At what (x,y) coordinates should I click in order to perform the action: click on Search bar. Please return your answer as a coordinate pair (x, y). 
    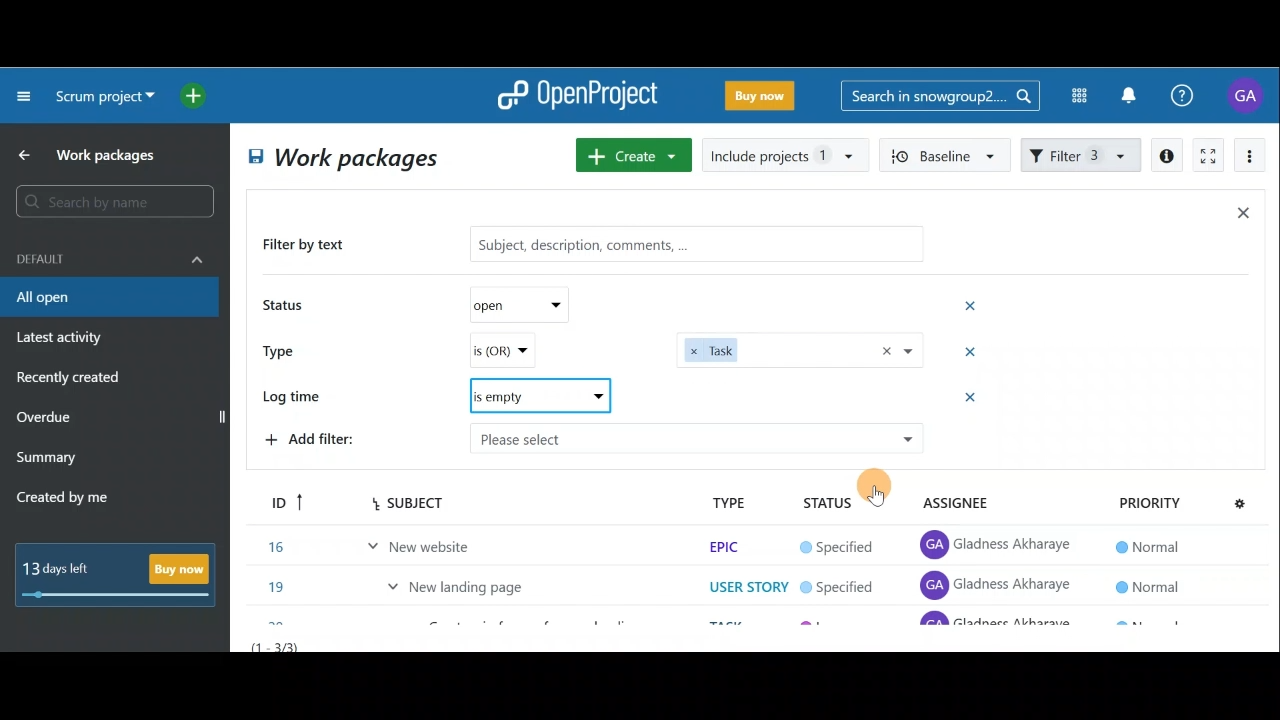
    Looking at the image, I should click on (940, 94).